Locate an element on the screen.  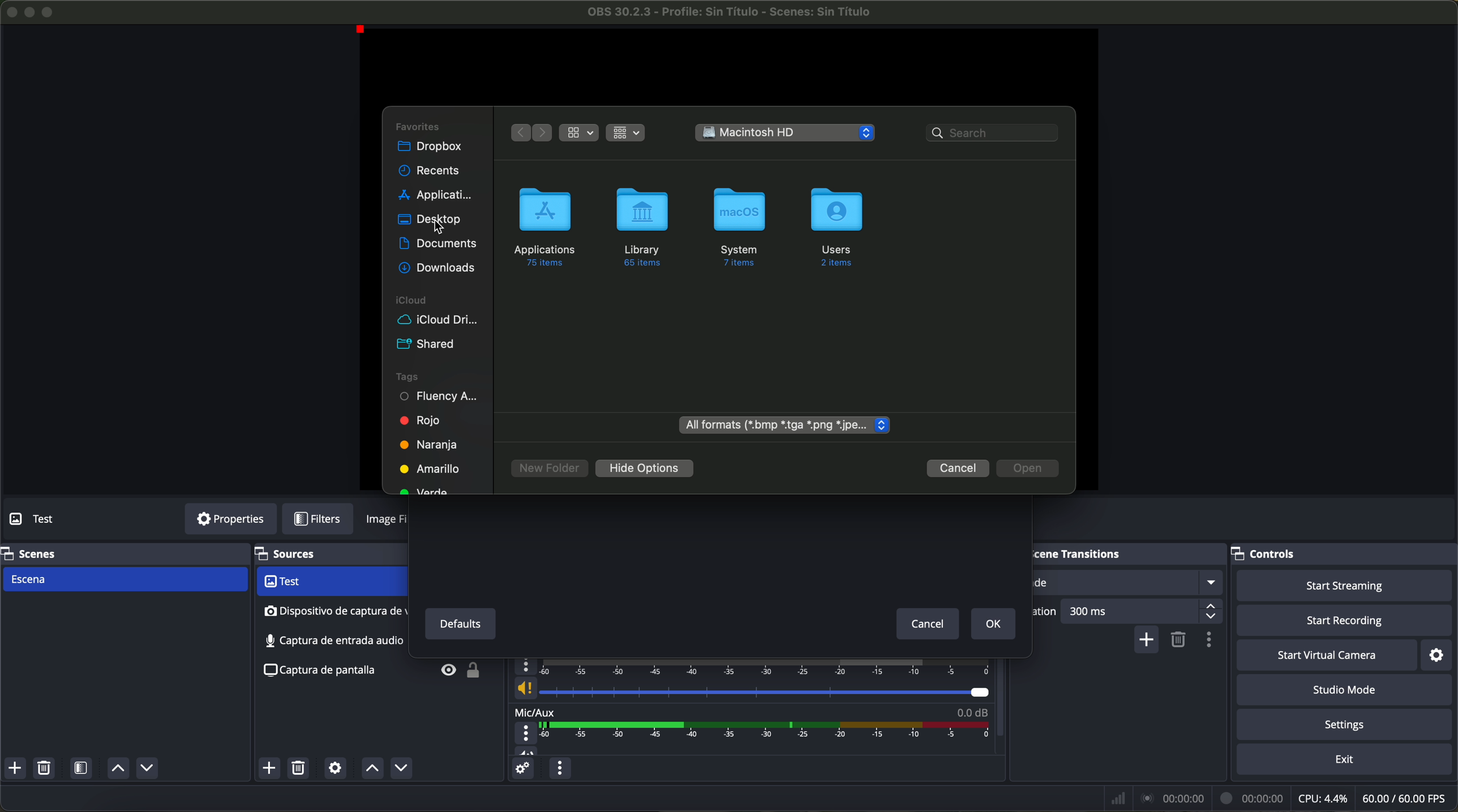
audio input capture is located at coordinates (333, 611).